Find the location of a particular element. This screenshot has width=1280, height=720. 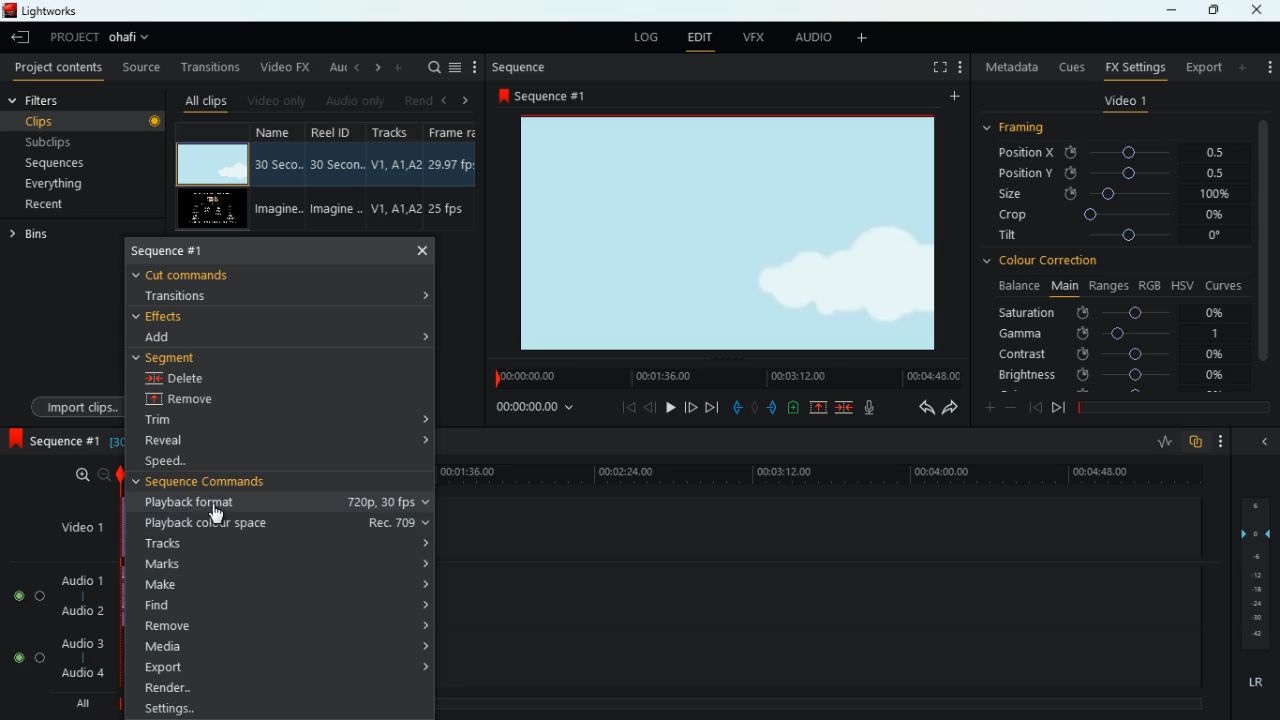

transitions is located at coordinates (187, 296).